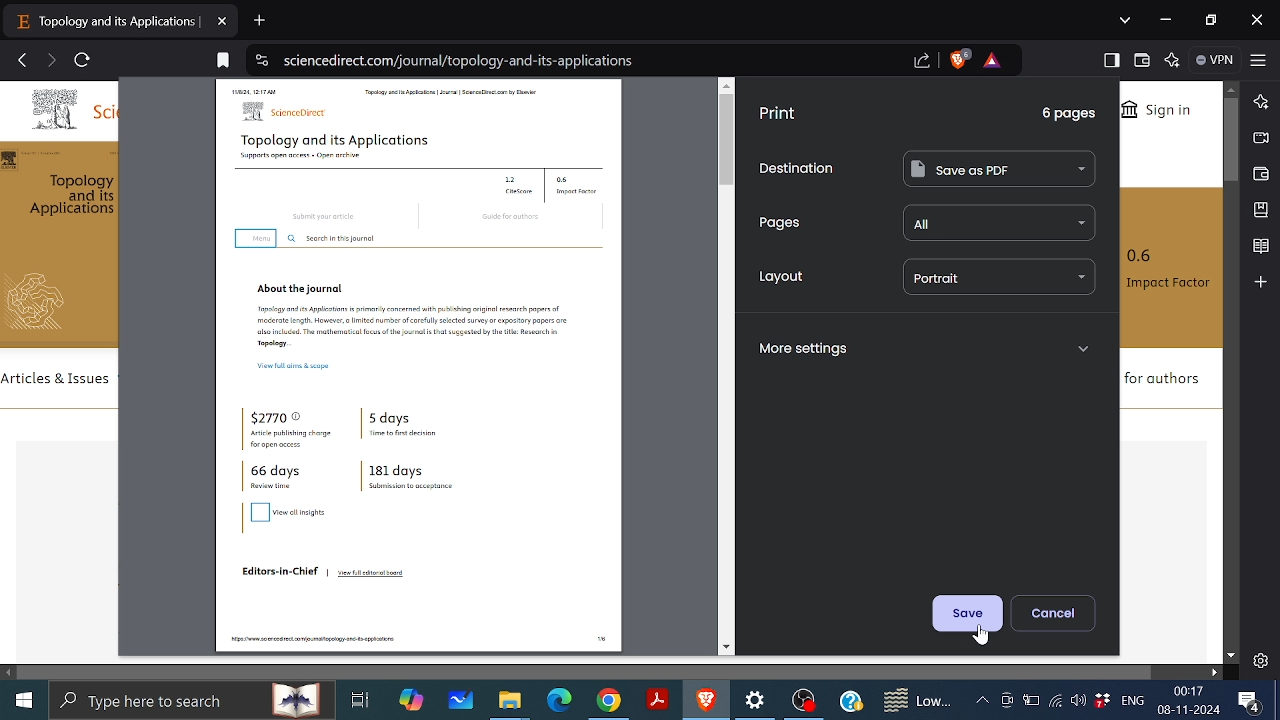 This screenshot has height=720, width=1280. What do you see at coordinates (108, 26) in the screenshot?
I see `topology and its applications` at bounding box center [108, 26].